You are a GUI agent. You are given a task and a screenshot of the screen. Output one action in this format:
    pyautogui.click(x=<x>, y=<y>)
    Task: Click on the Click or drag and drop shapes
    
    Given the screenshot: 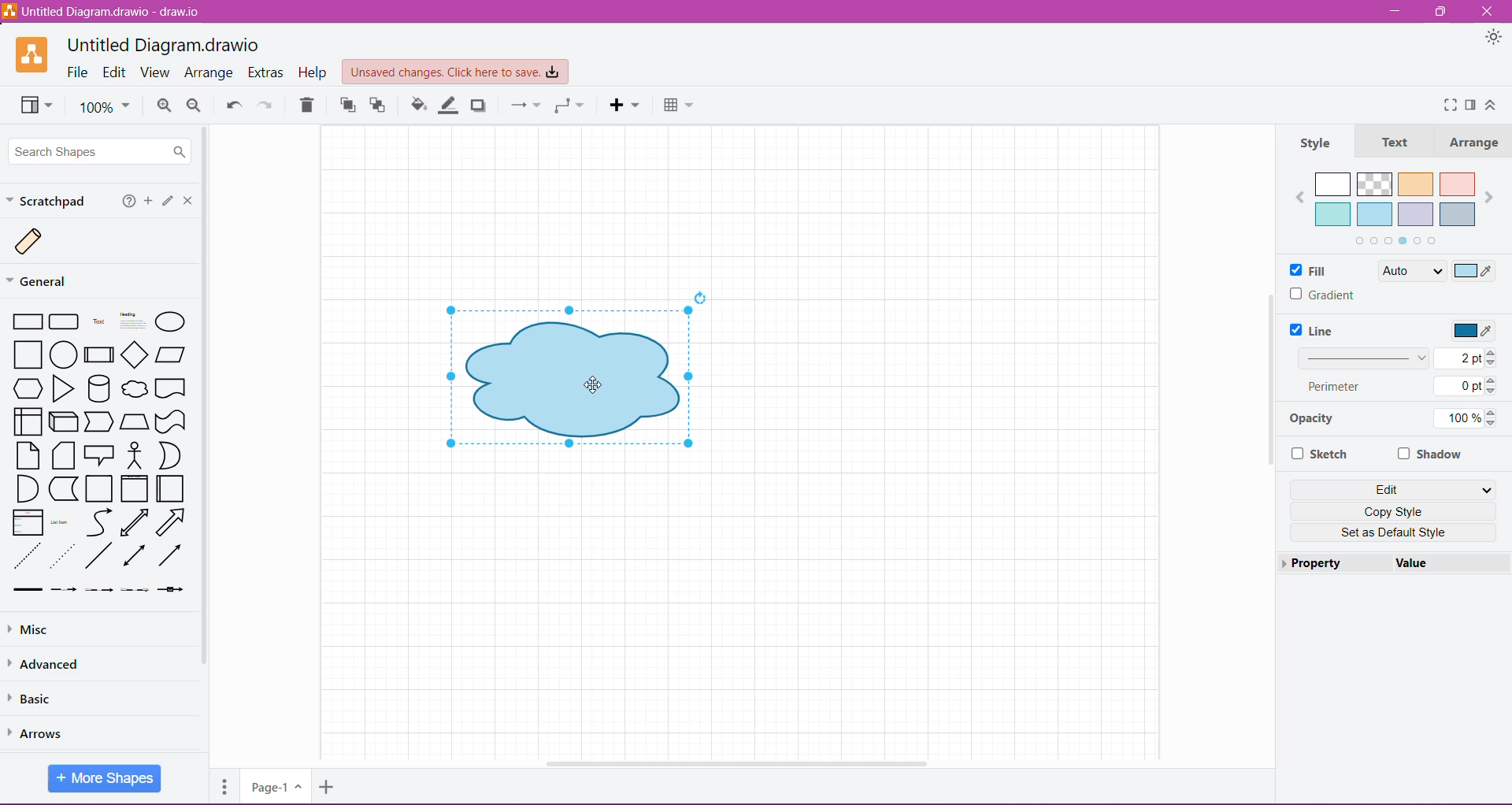 What is the action you would take?
    pyautogui.click(x=169, y=202)
    